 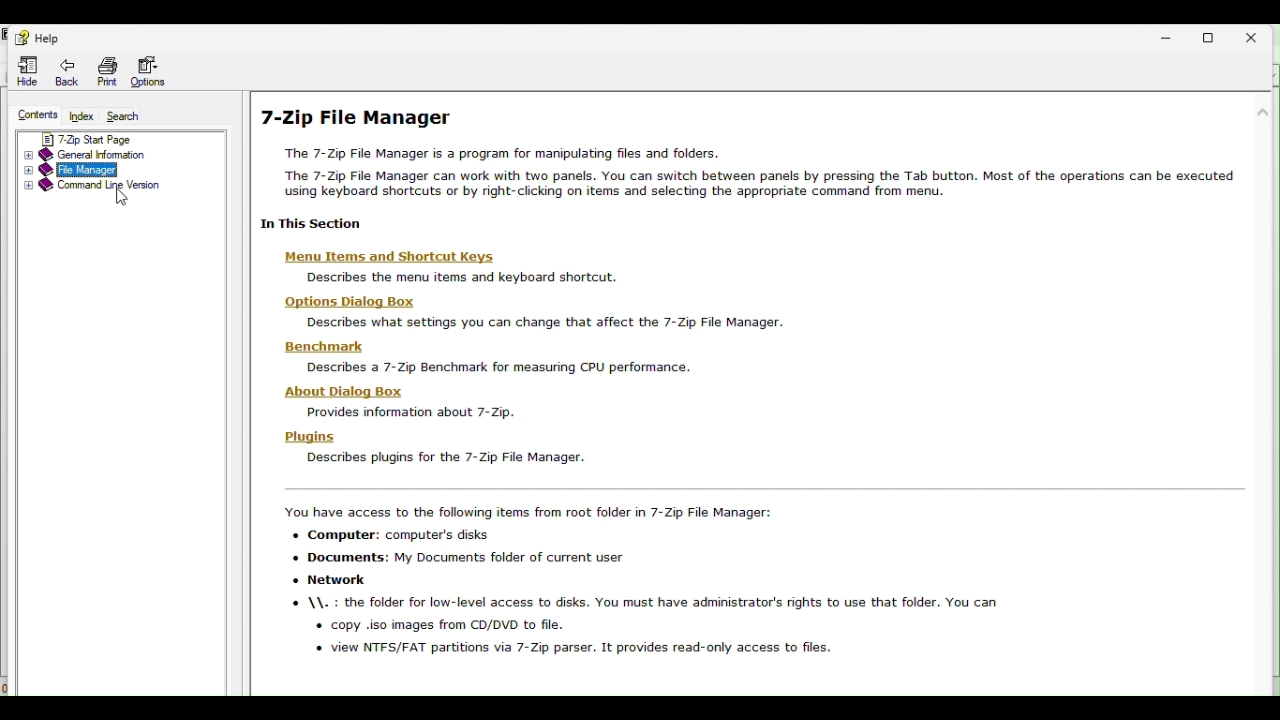 What do you see at coordinates (127, 155) in the screenshot?
I see `General information` at bounding box center [127, 155].